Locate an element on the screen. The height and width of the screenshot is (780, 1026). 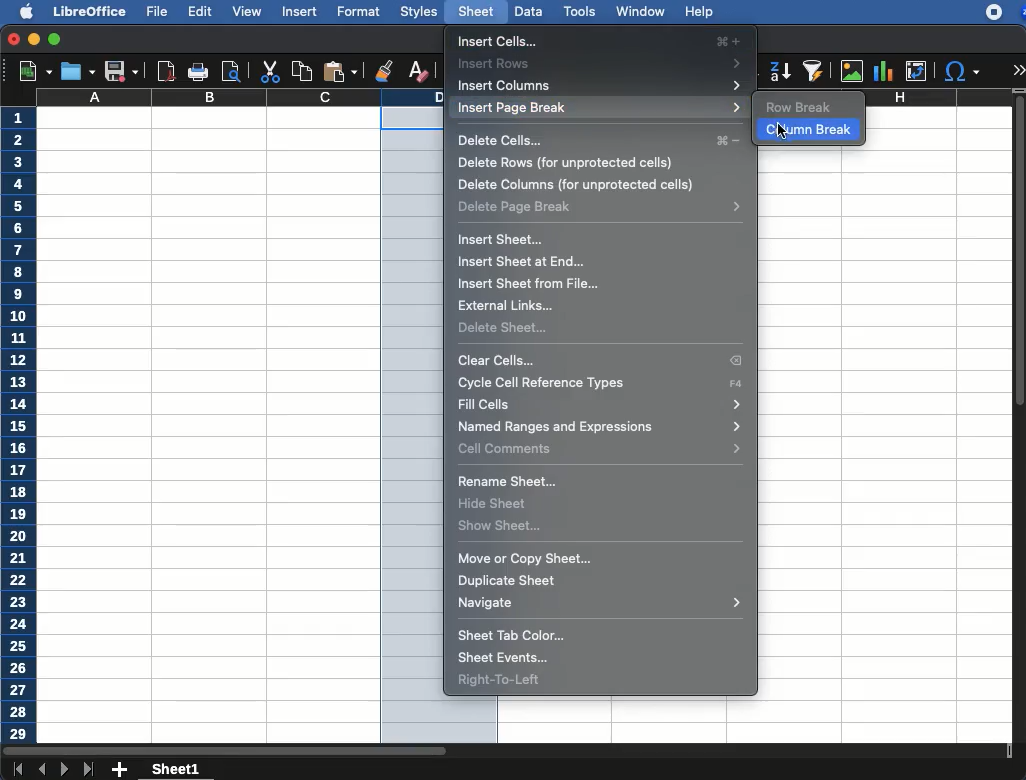
save is located at coordinates (76, 71).